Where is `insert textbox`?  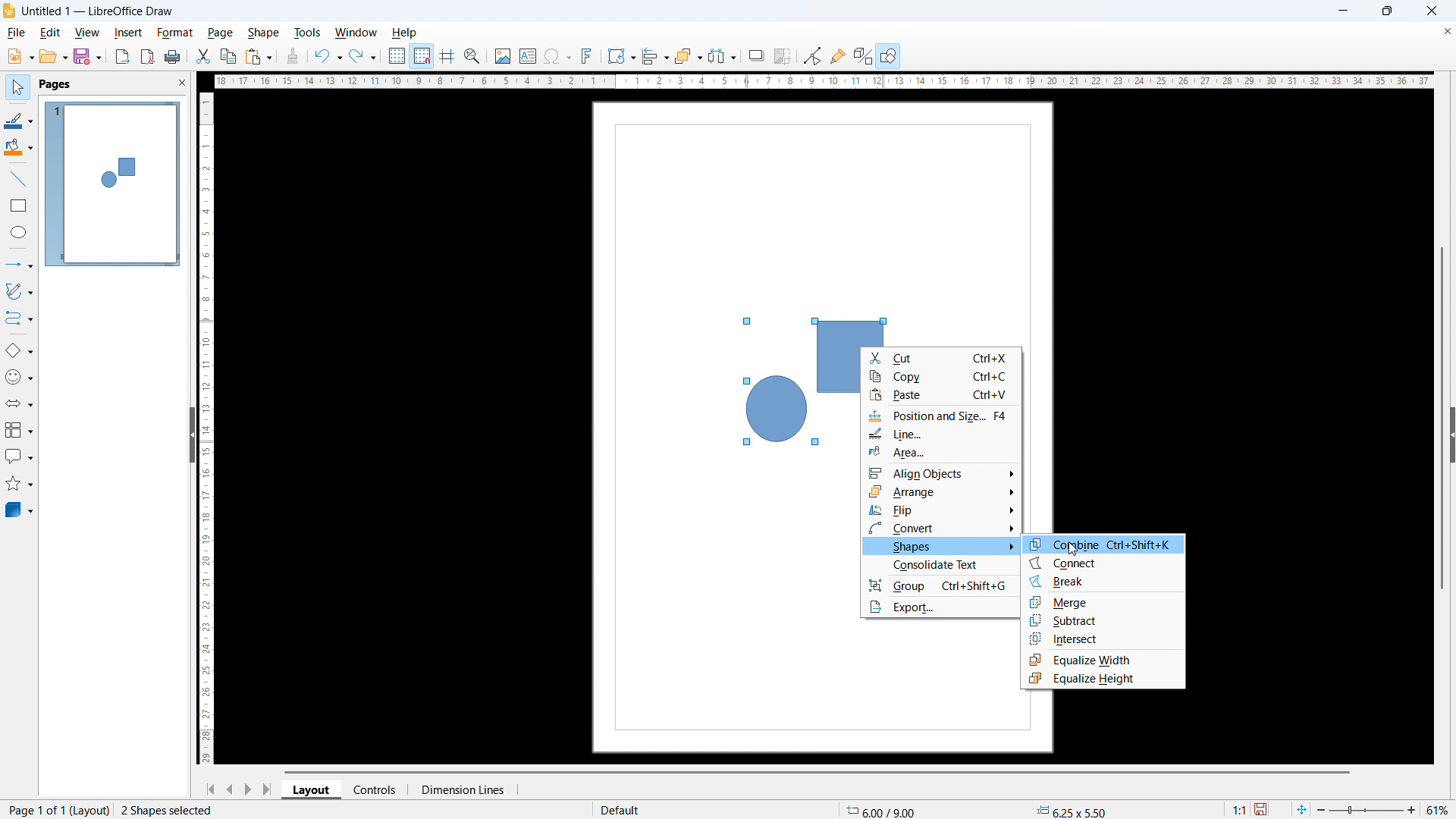
insert textbox is located at coordinates (528, 55).